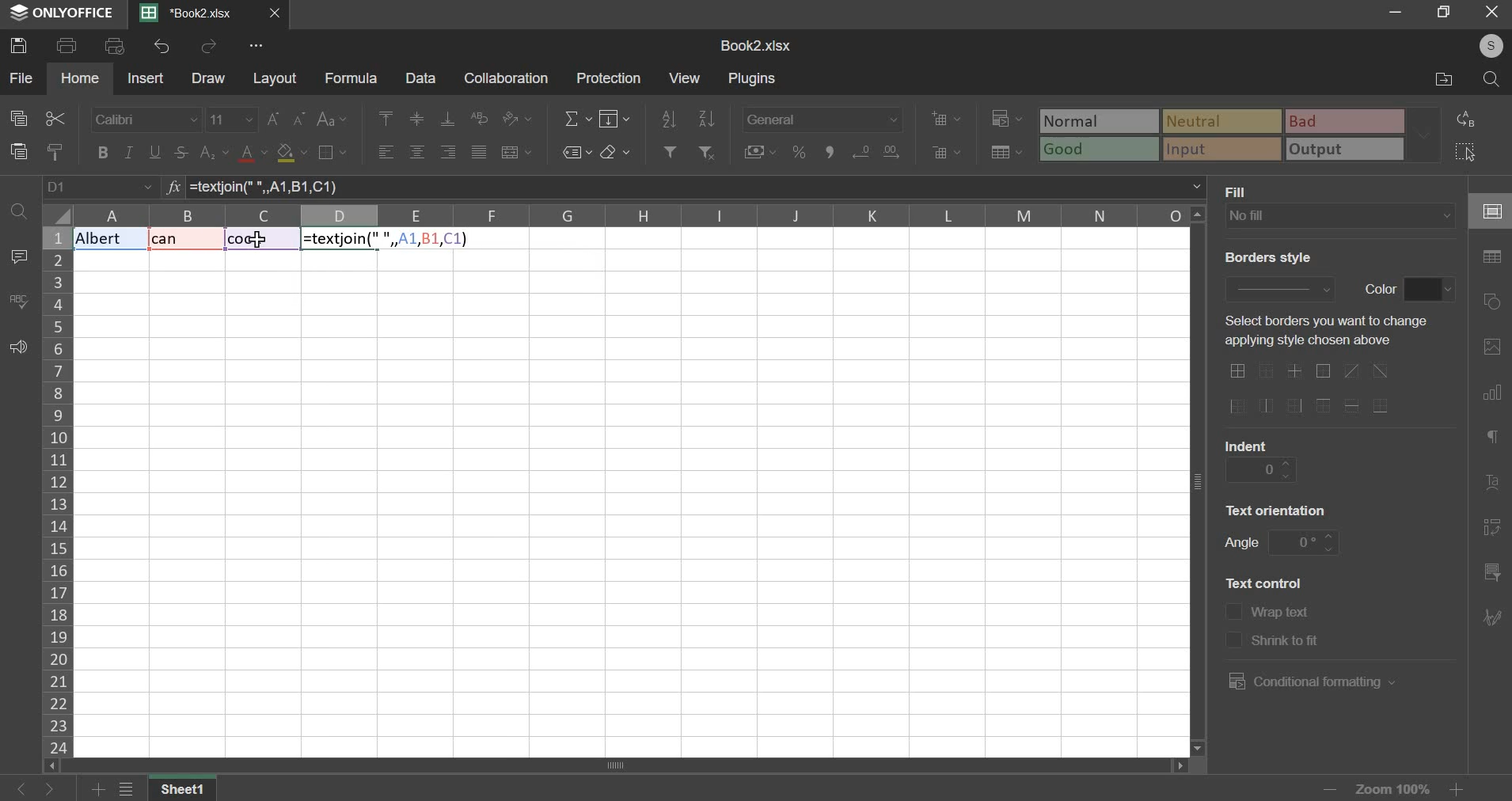  I want to click on border style, so click(1278, 287).